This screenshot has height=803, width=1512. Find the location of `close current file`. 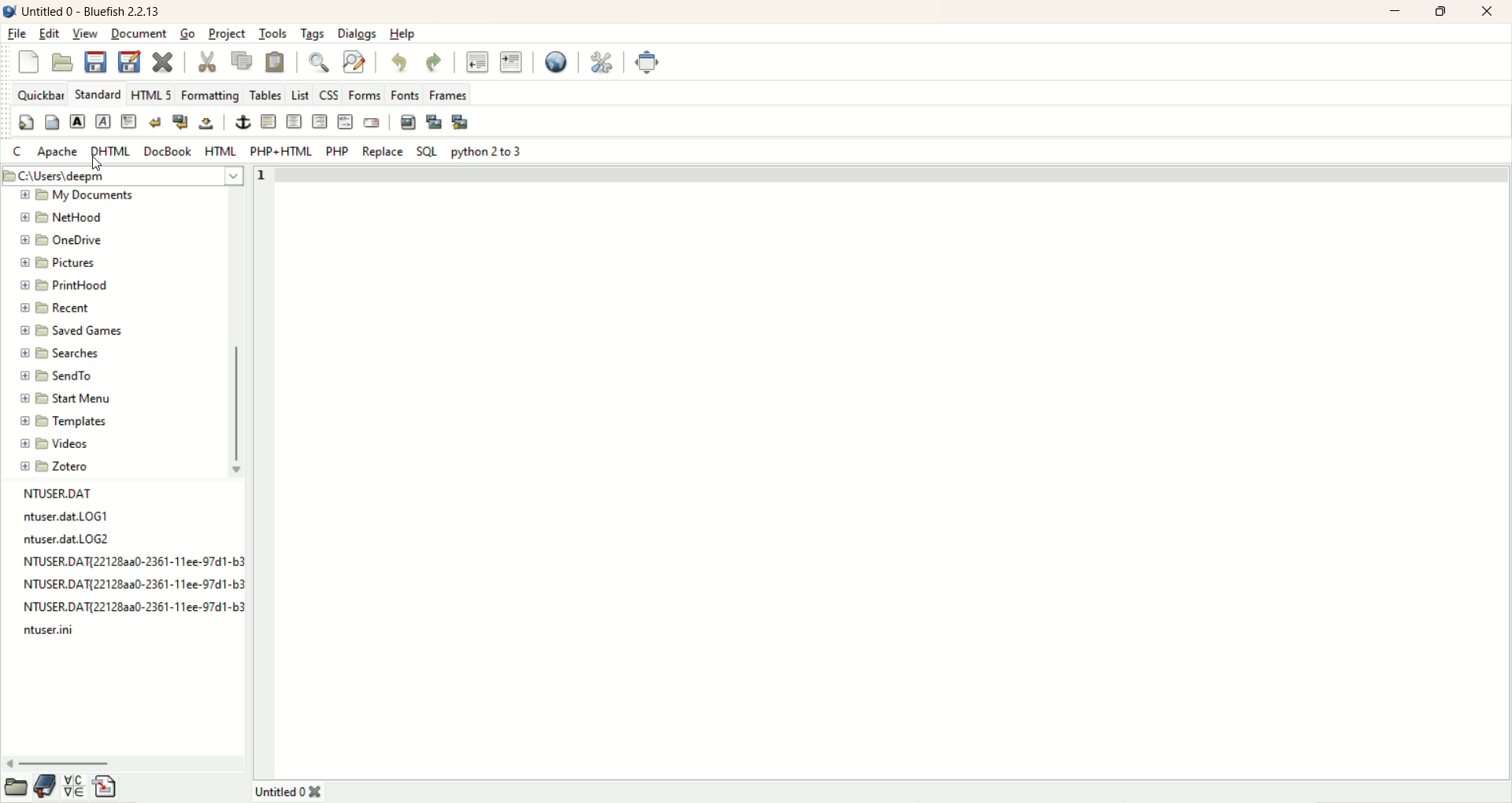

close current file is located at coordinates (166, 63).